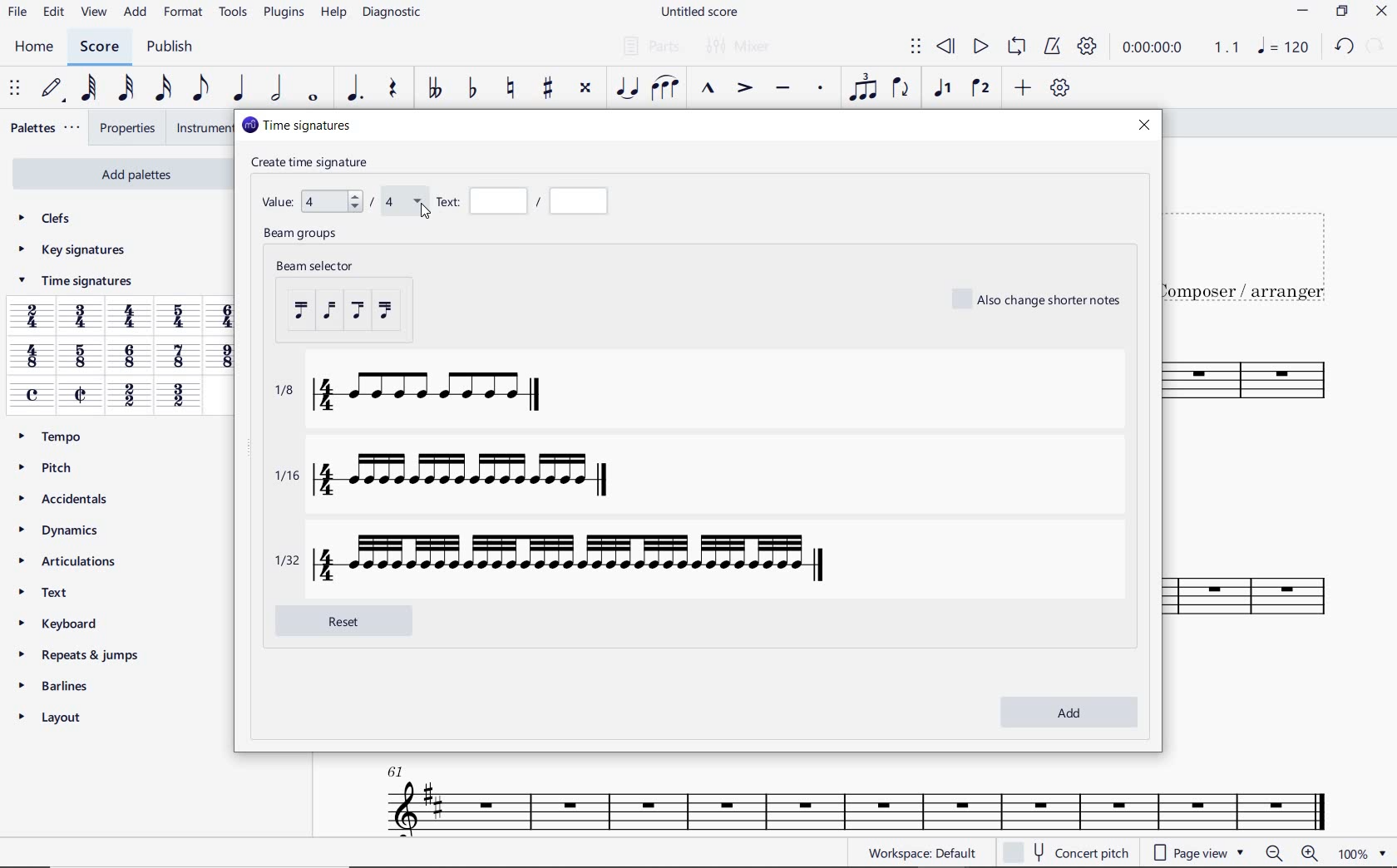 The height and width of the screenshot is (868, 1397). Describe the element at coordinates (61, 622) in the screenshot. I see `KEYBOARD` at that location.